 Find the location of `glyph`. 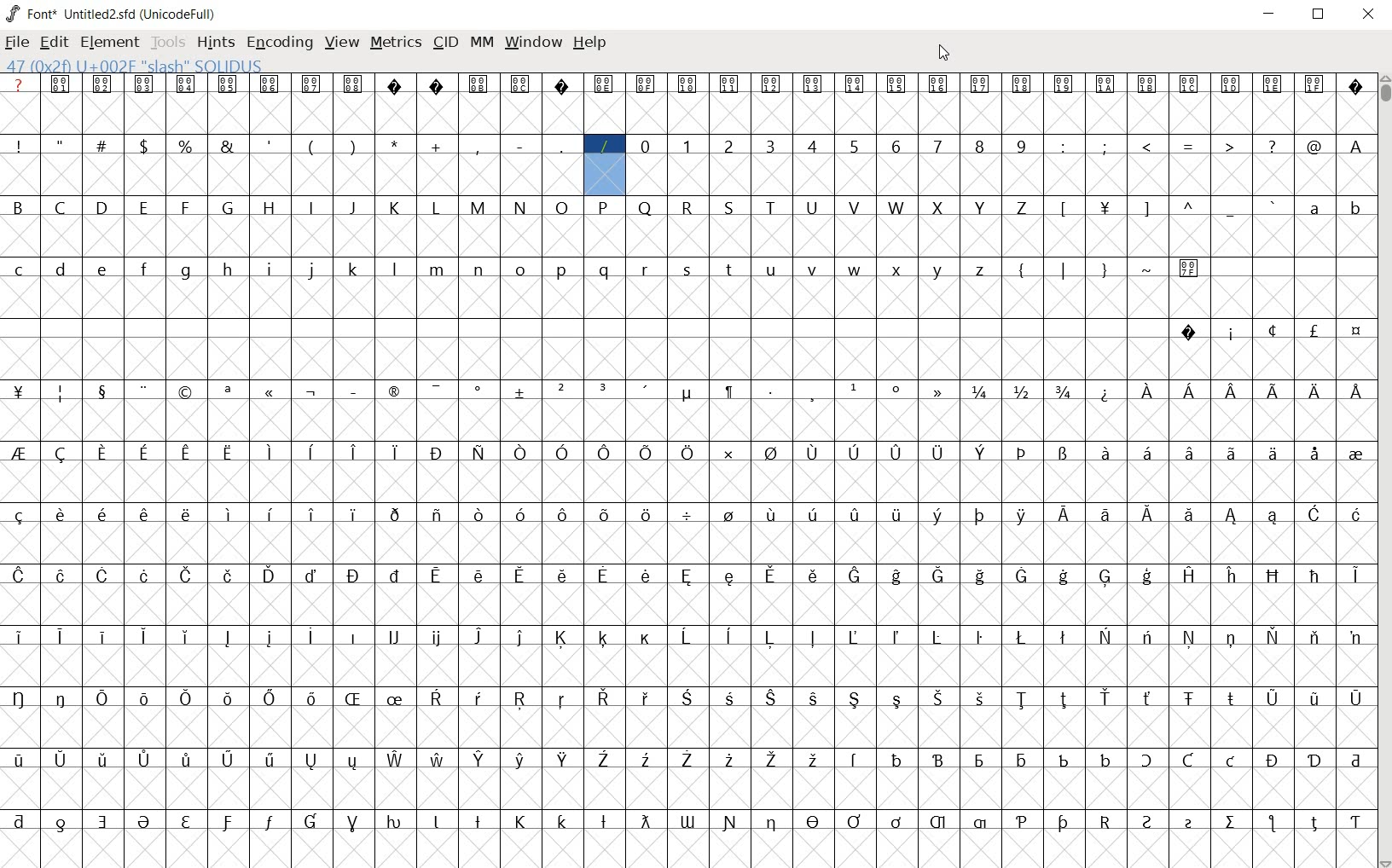

glyph is located at coordinates (646, 390).